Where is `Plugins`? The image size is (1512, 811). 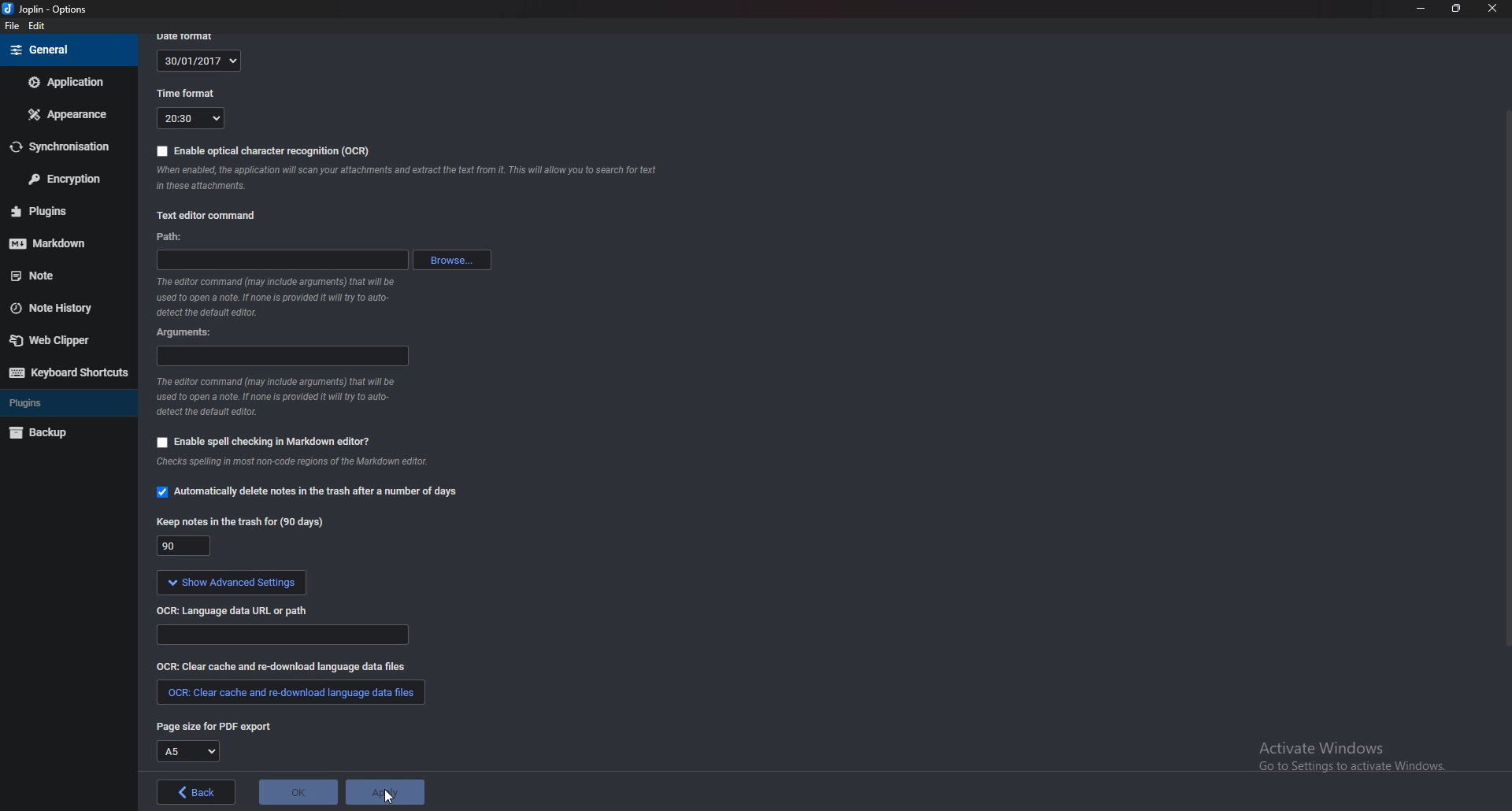 Plugins is located at coordinates (57, 402).